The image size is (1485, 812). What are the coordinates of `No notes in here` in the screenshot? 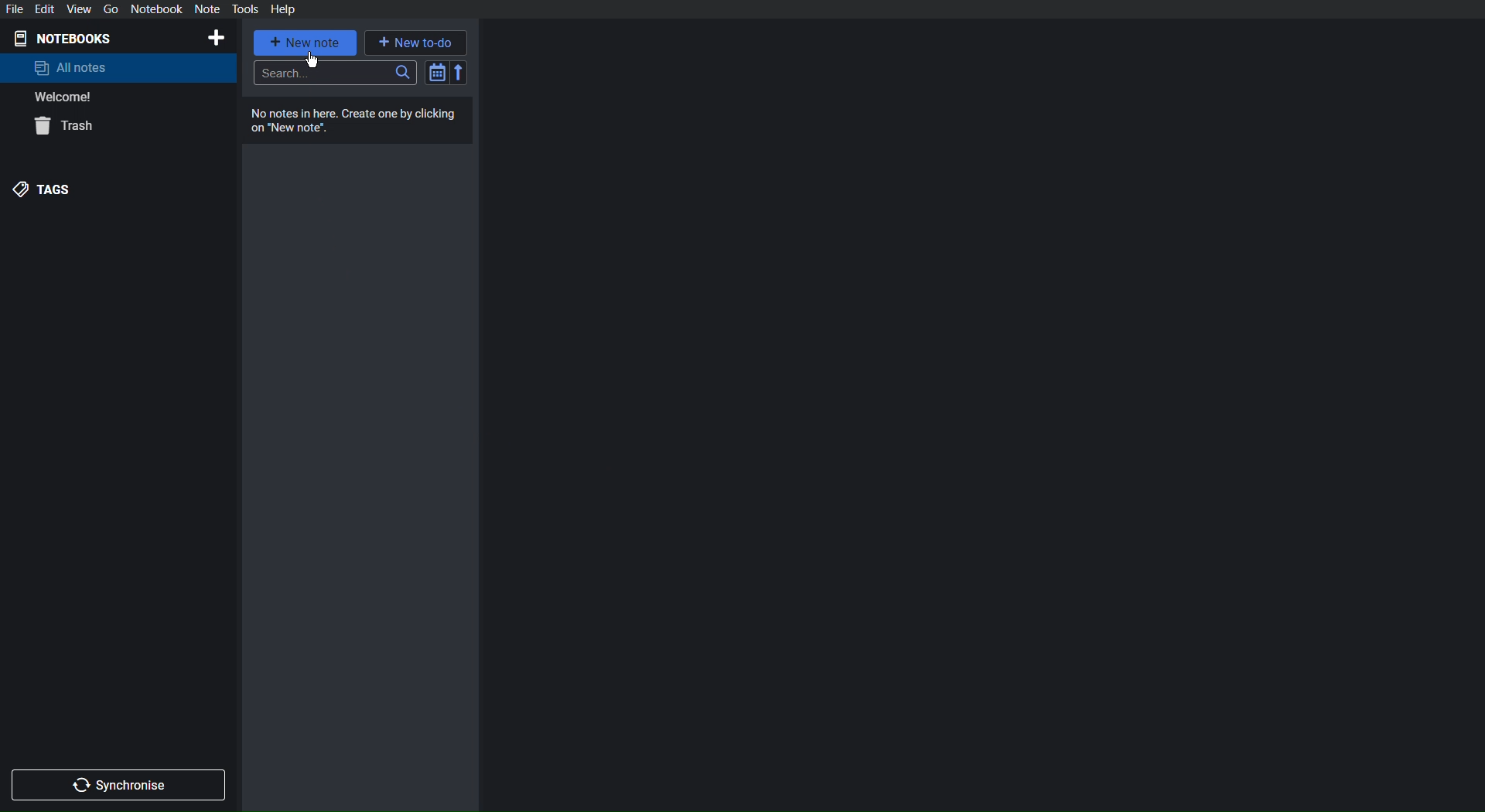 It's located at (360, 121).